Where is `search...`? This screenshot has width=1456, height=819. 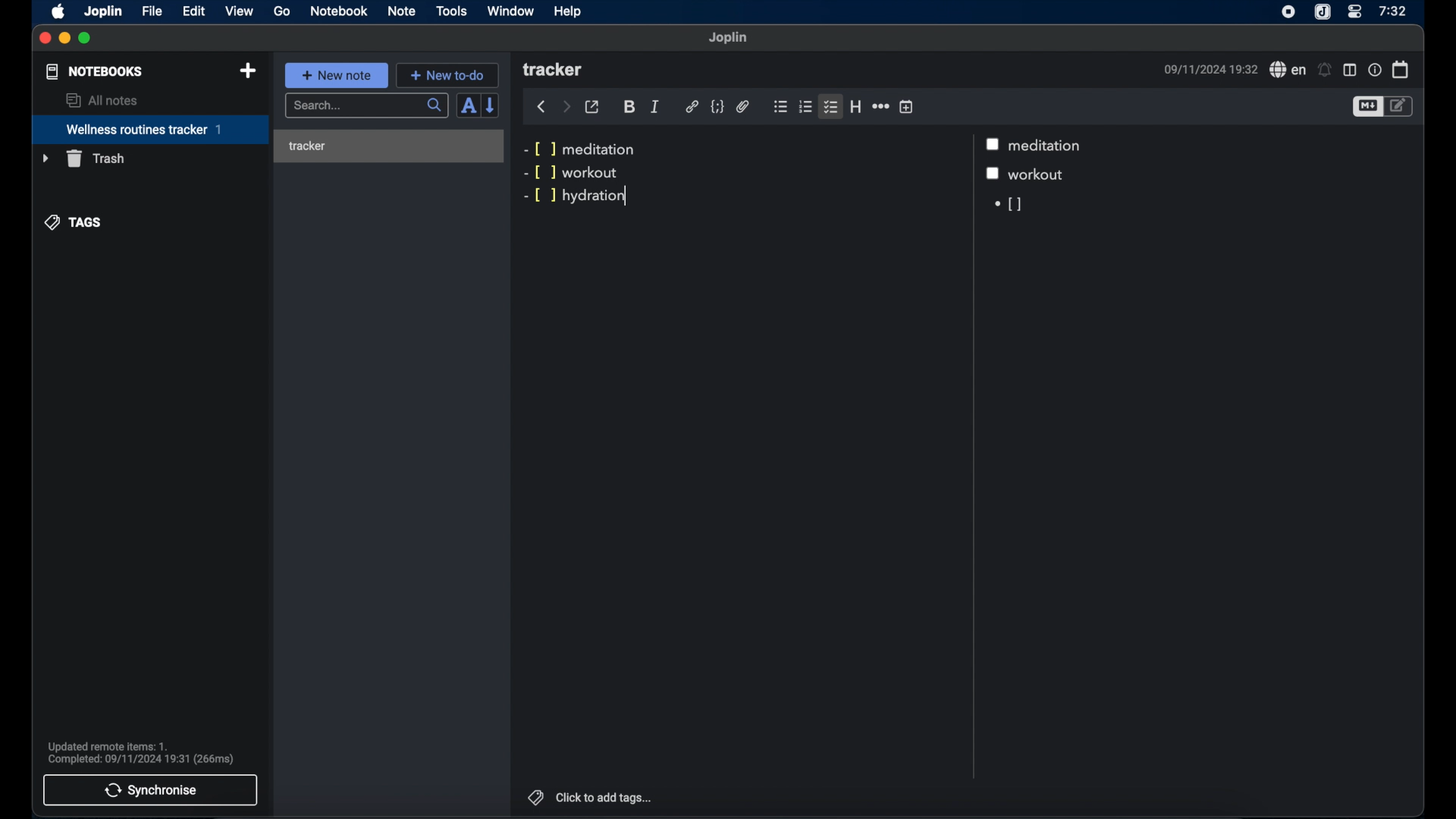 search... is located at coordinates (368, 106).